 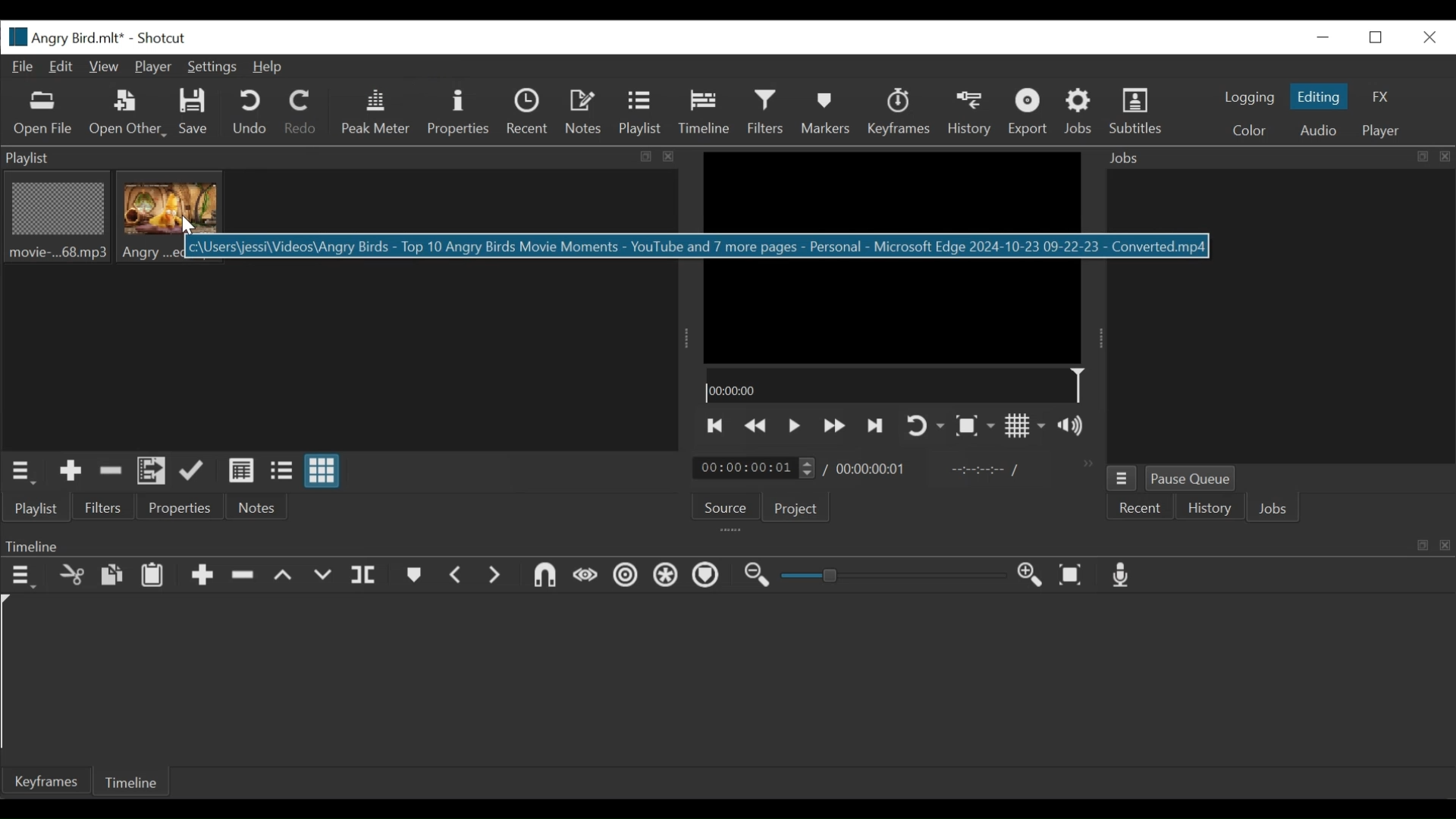 What do you see at coordinates (642, 114) in the screenshot?
I see `Playlist` at bounding box center [642, 114].